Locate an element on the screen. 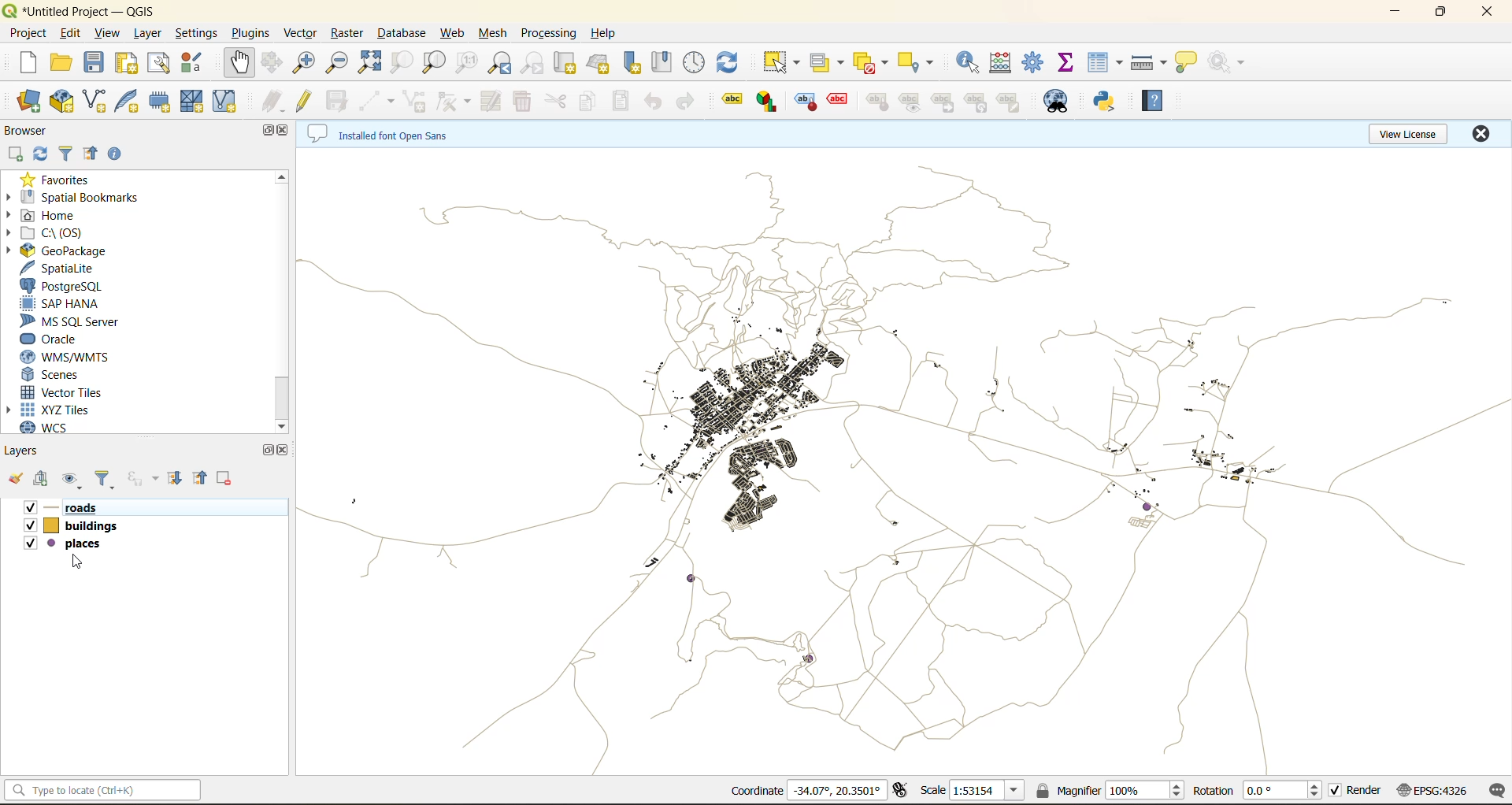  rotation is located at coordinates (1257, 790).